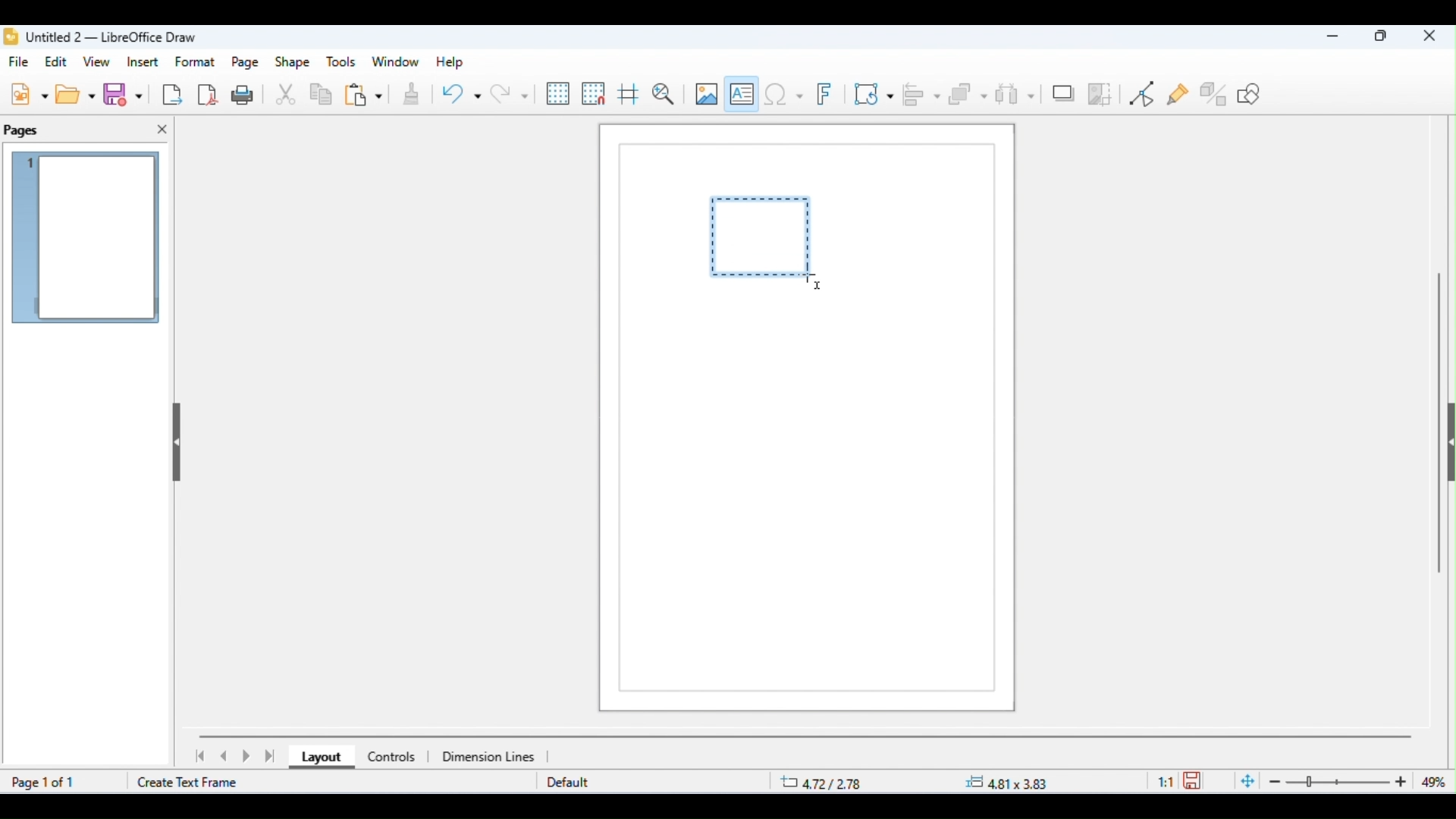 This screenshot has height=819, width=1456. Describe the element at coordinates (1145, 94) in the screenshot. I see `toggle point edit mode` at that location.